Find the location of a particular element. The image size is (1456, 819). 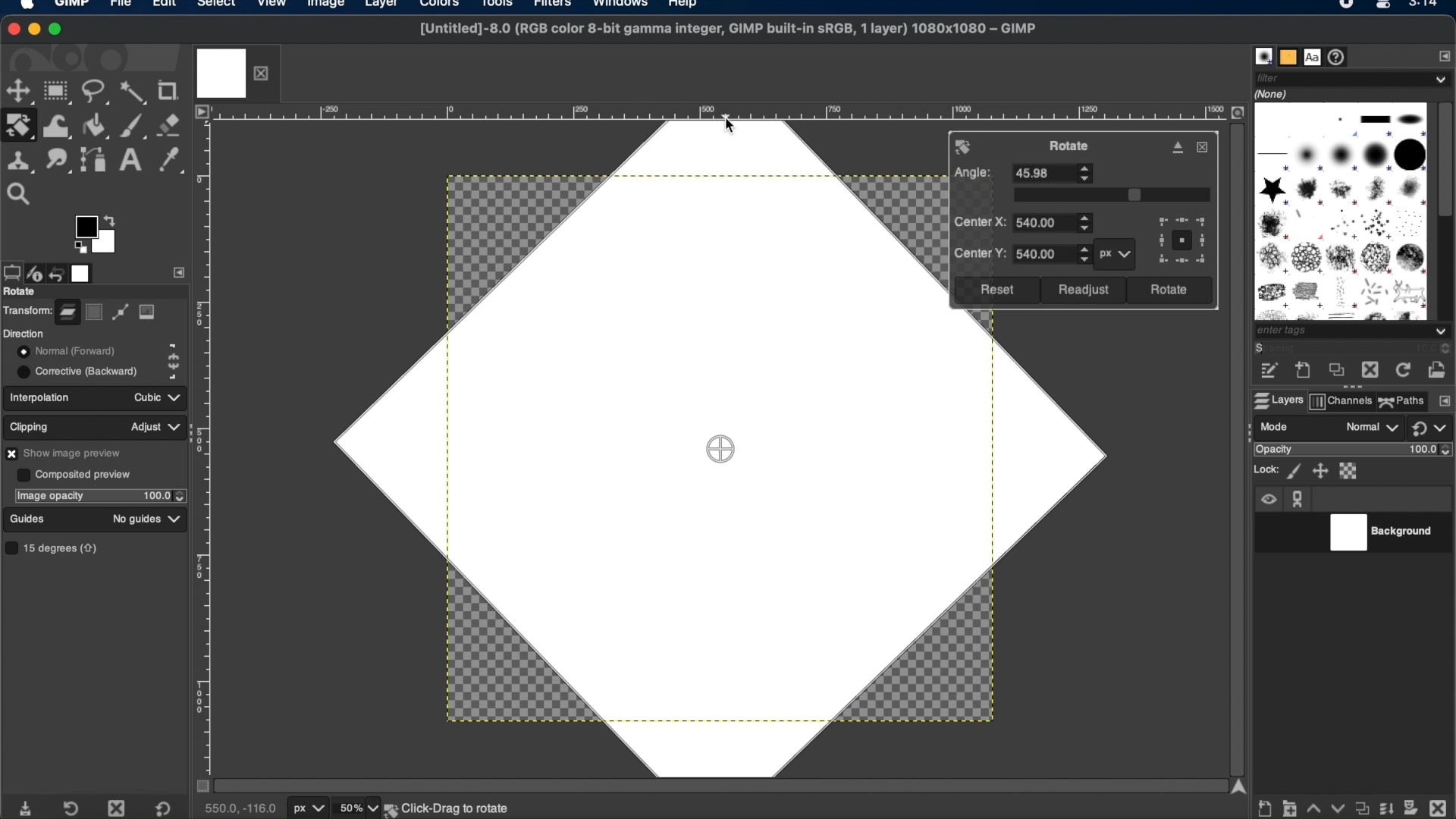

brush types is located at coordinates (1340, 211).